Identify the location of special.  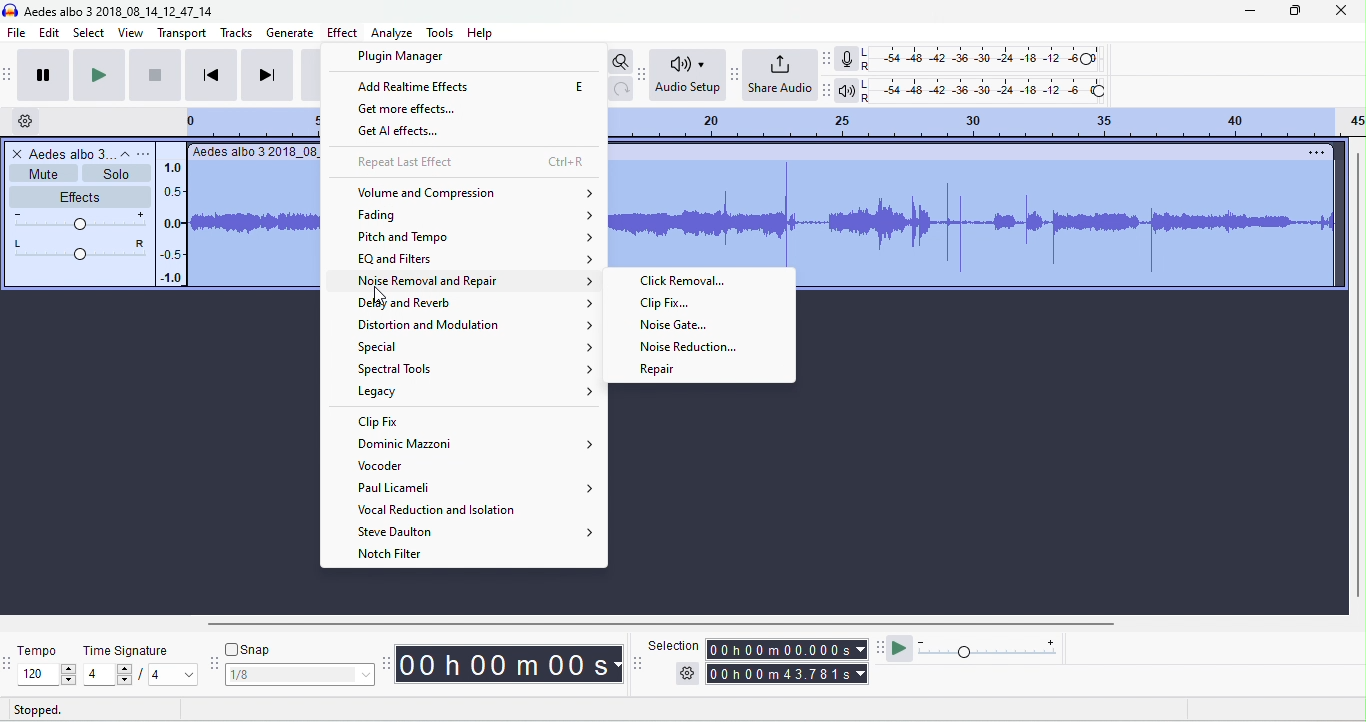
(477, 348).